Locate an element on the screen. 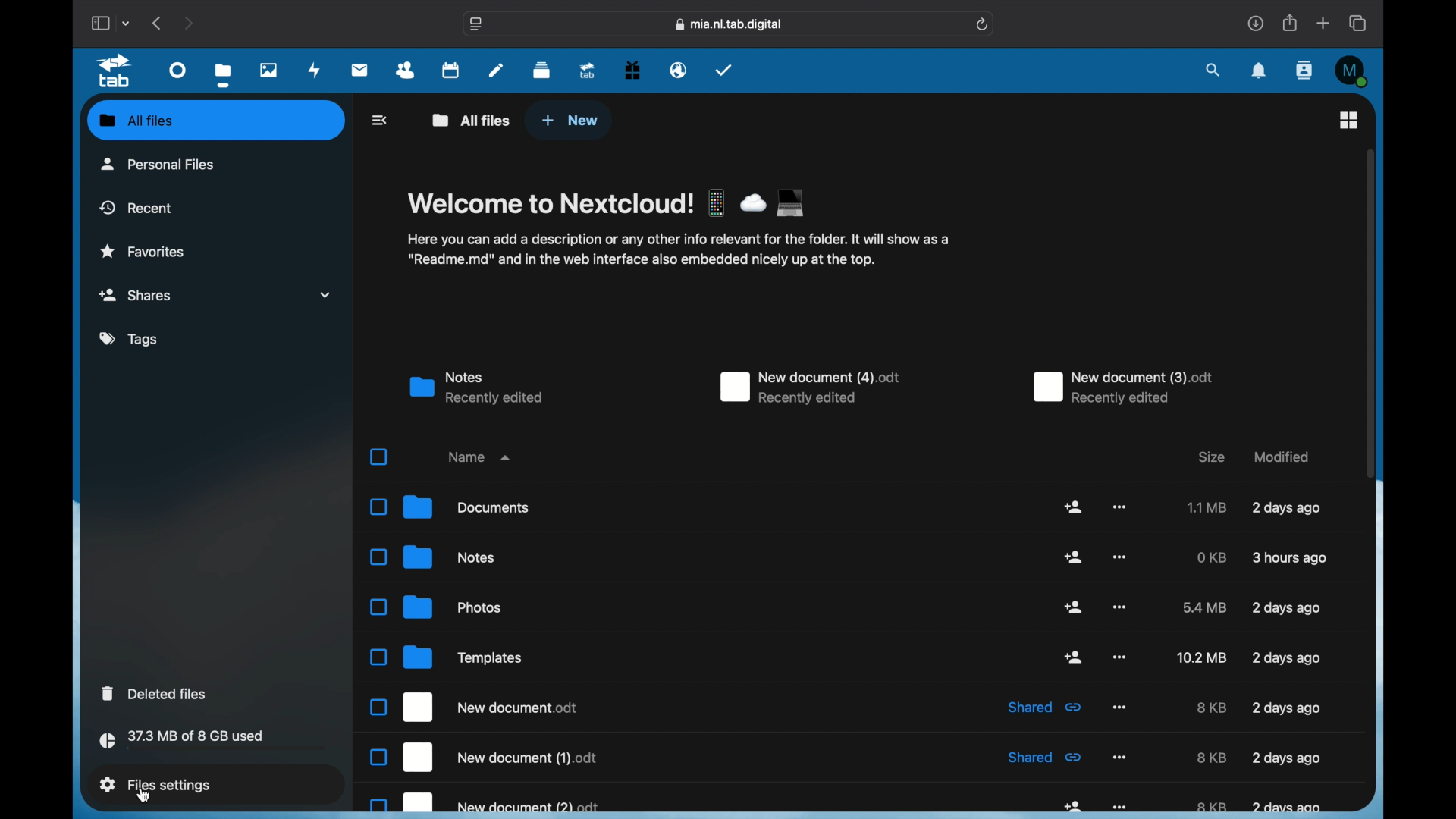 This screenshot has height=819, width=1456. website settings is located at coordinates (475, 24).